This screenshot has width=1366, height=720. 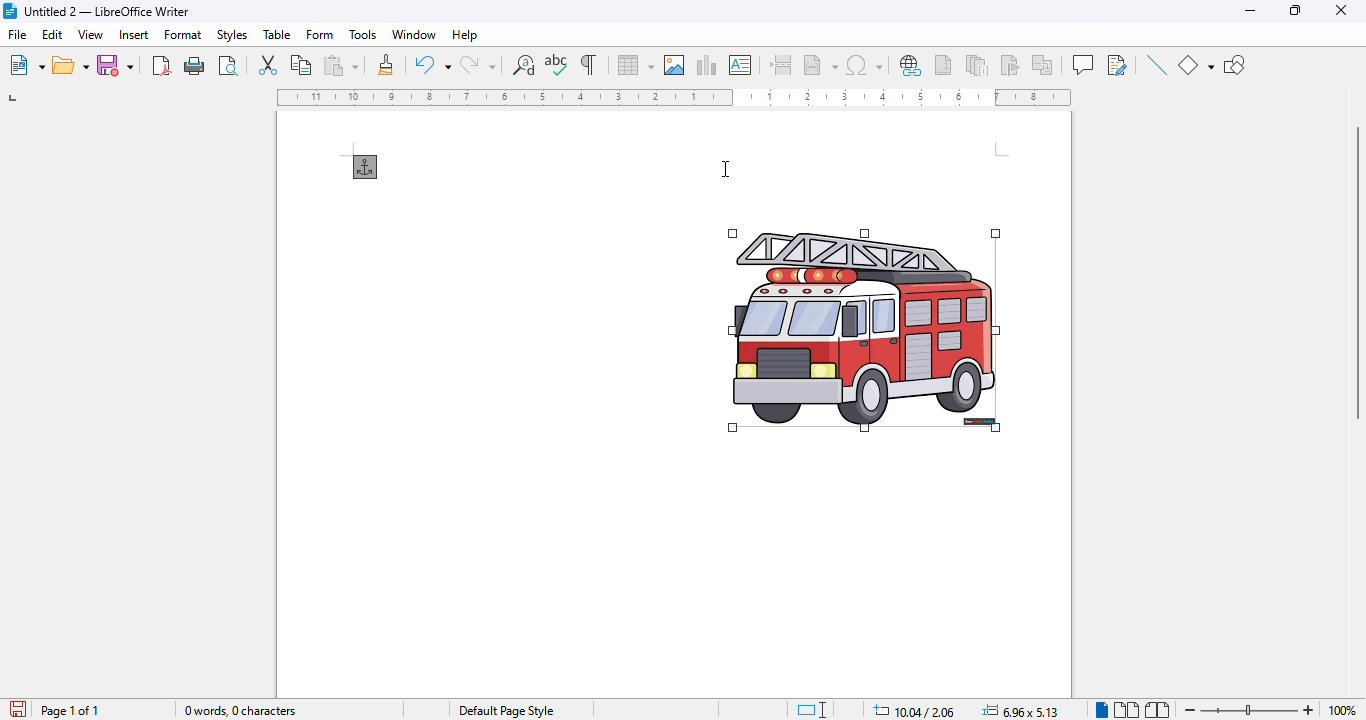 What do you see at coordinates (524, 65) in the screenshot?
I see `find and replace` at bounding box center [524, 65].